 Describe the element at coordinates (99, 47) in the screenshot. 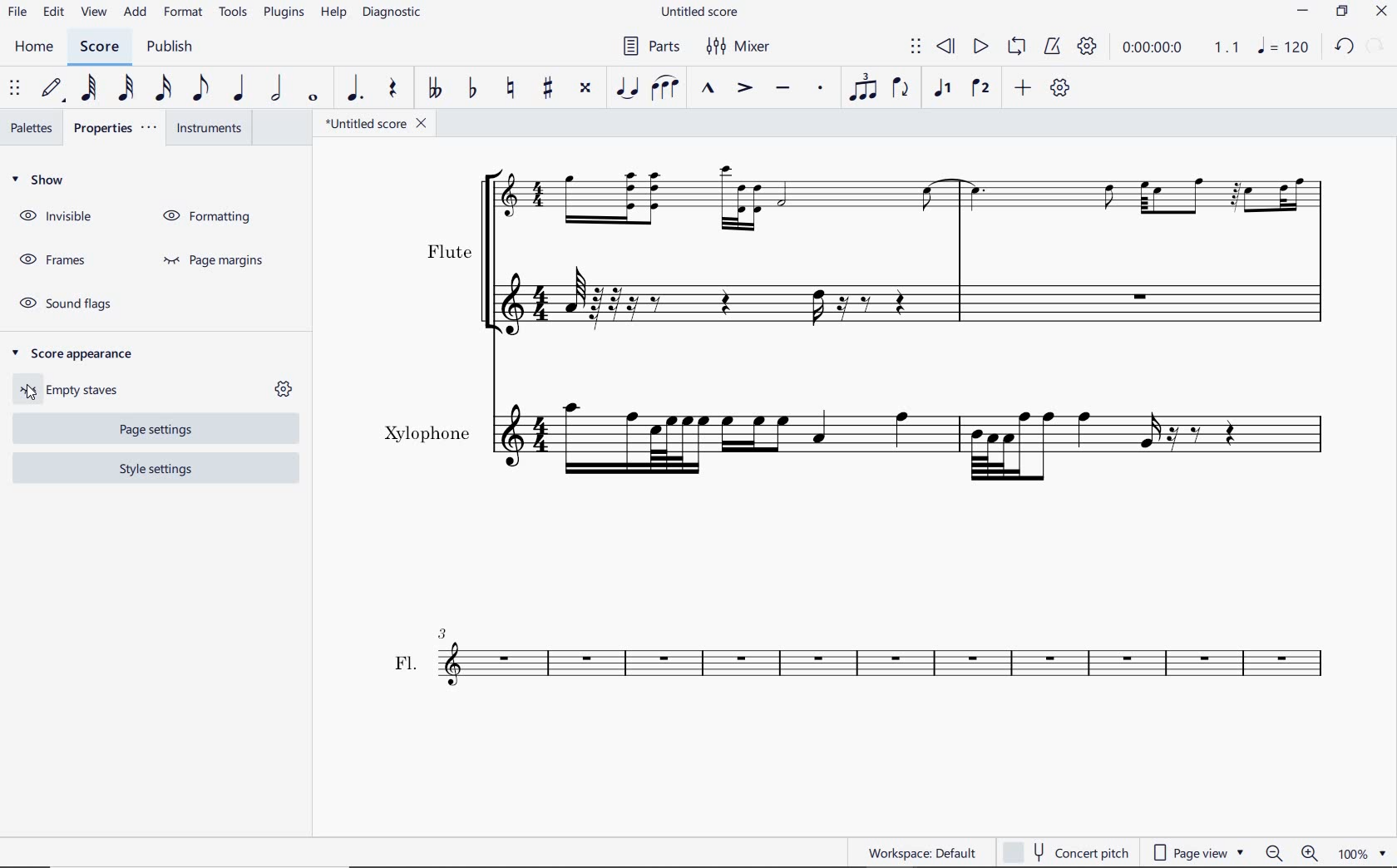

I see `SCORE` at that location.